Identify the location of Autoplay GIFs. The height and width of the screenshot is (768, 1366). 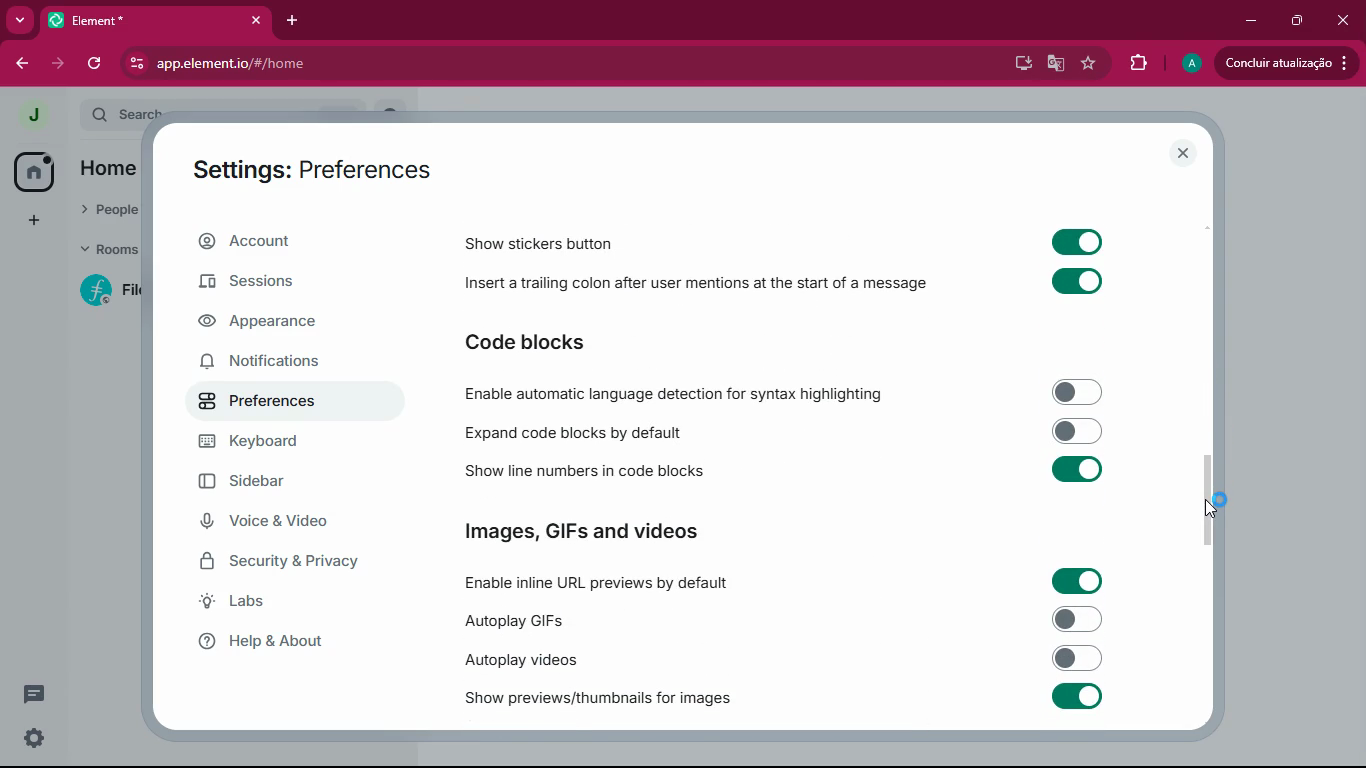
(523, 619).